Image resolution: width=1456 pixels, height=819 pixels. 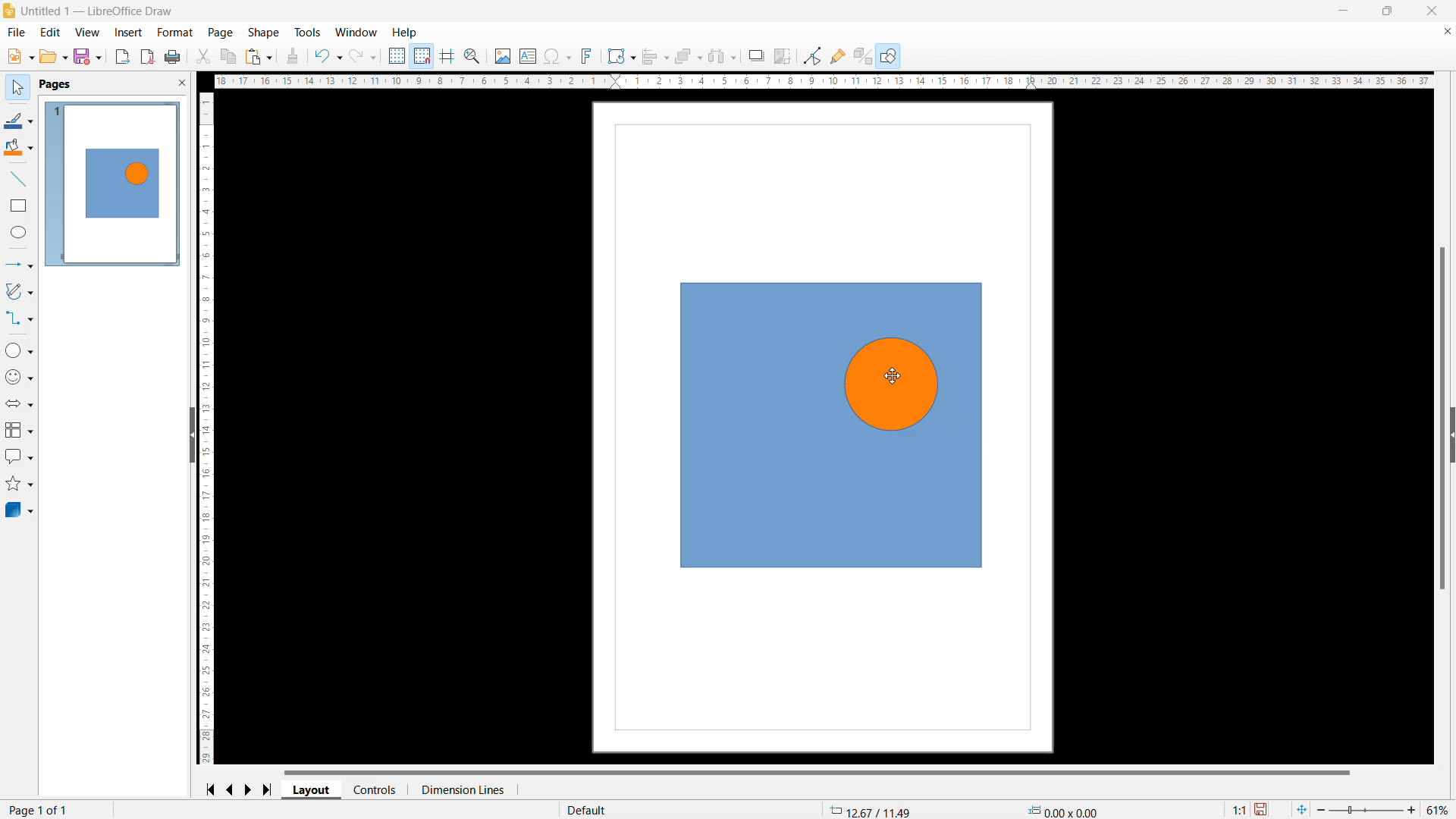 What do you see at coordinates (210, 789) in the screenshot?
I see `go to first page` at bounding box center [210, 789].